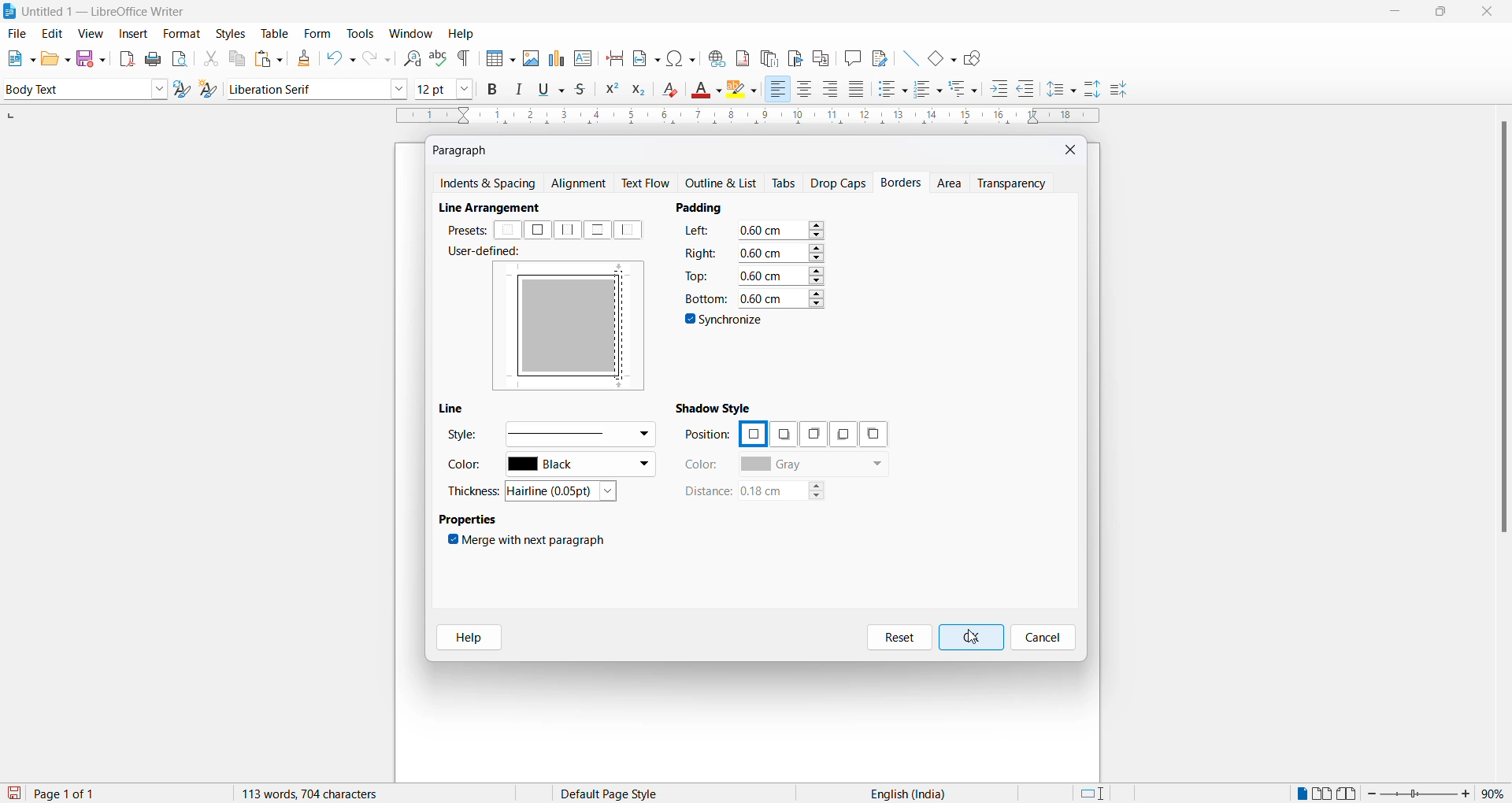  What do you see at coordinates (615, 794) in the screenshot?
I see `page style` at bounding box center [615, 794].